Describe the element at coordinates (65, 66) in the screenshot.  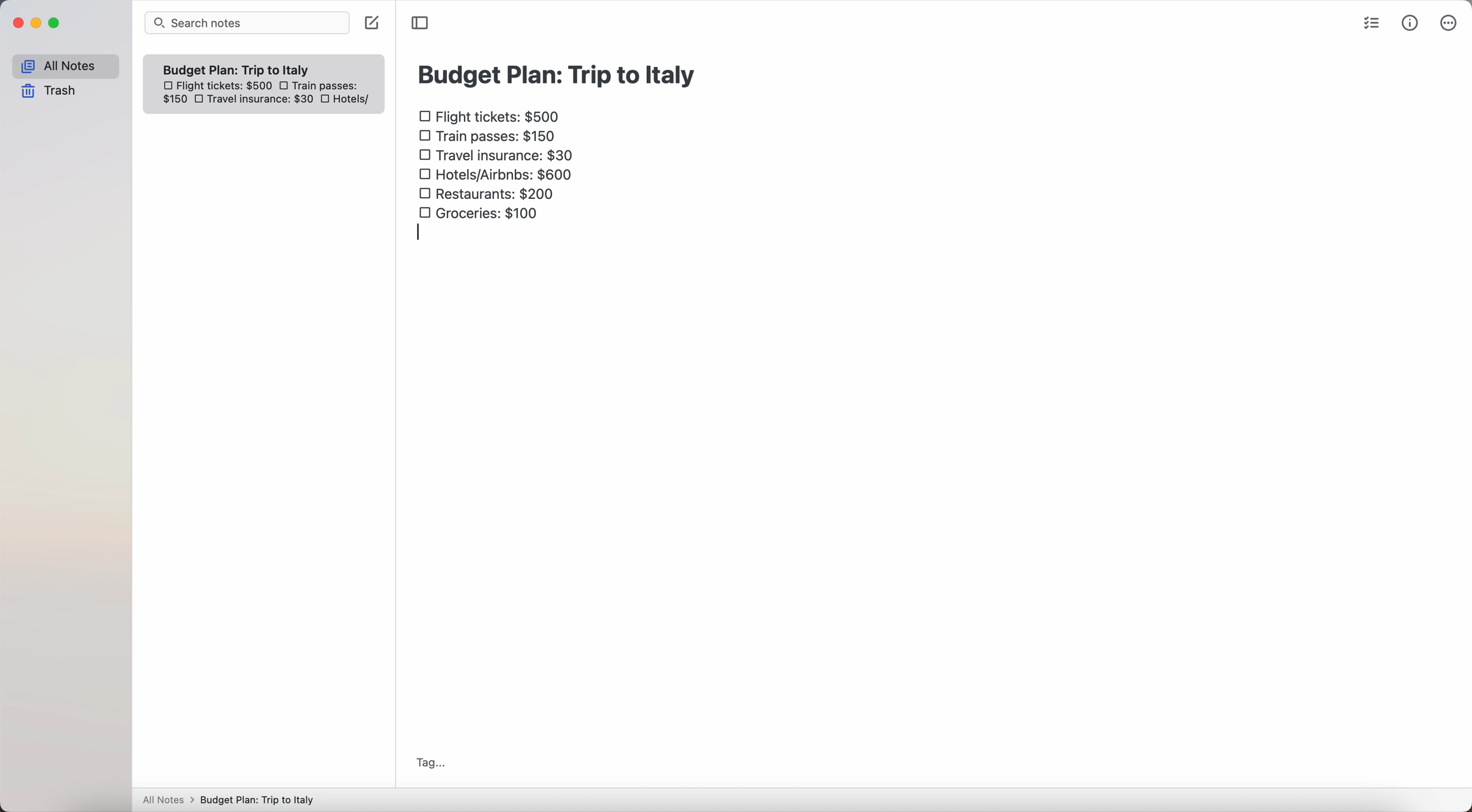
I see `all notes` at that location.